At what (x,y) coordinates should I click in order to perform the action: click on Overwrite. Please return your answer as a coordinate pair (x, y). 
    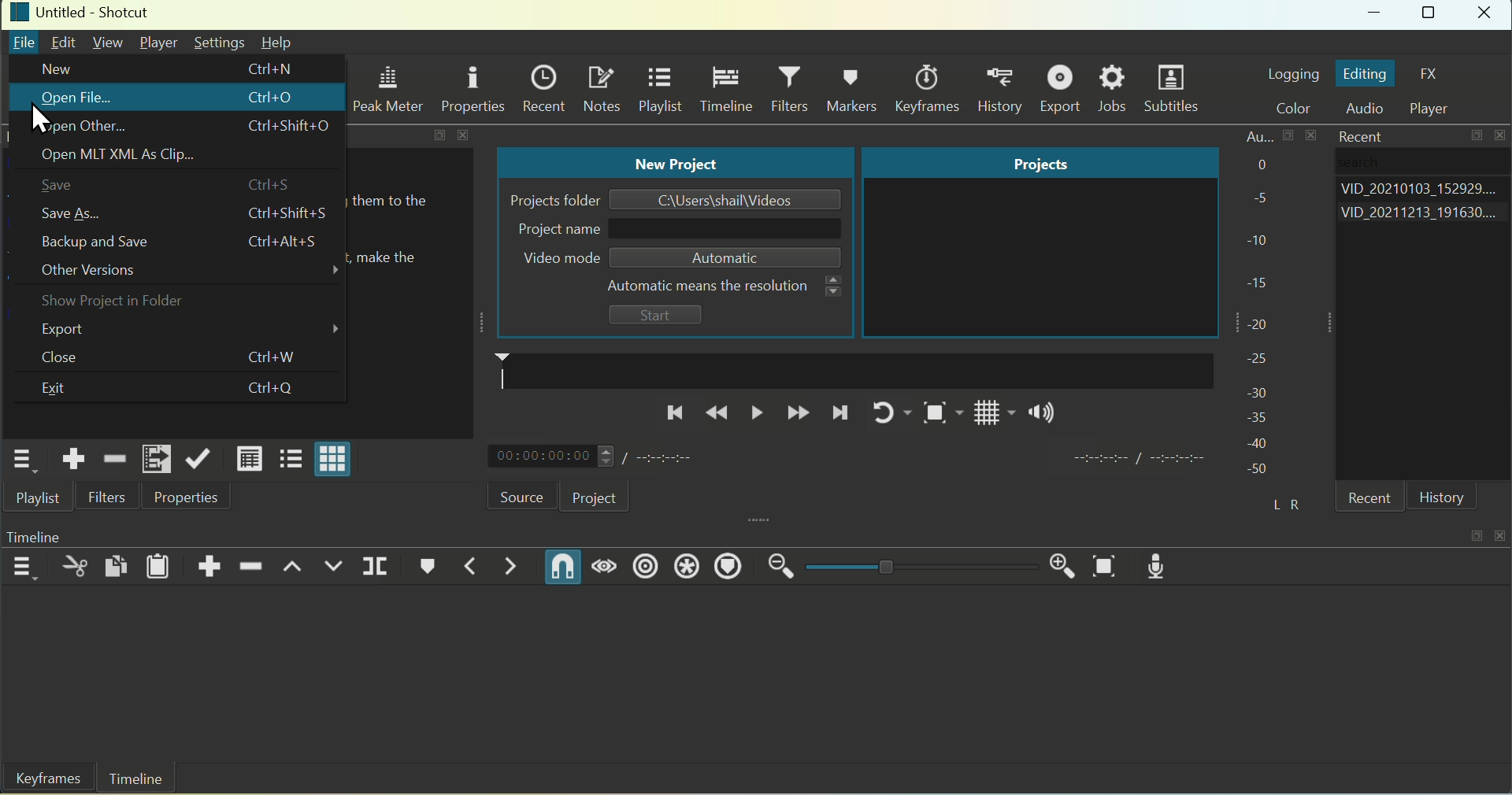
    Looking at the image, I should click on (335, 568).